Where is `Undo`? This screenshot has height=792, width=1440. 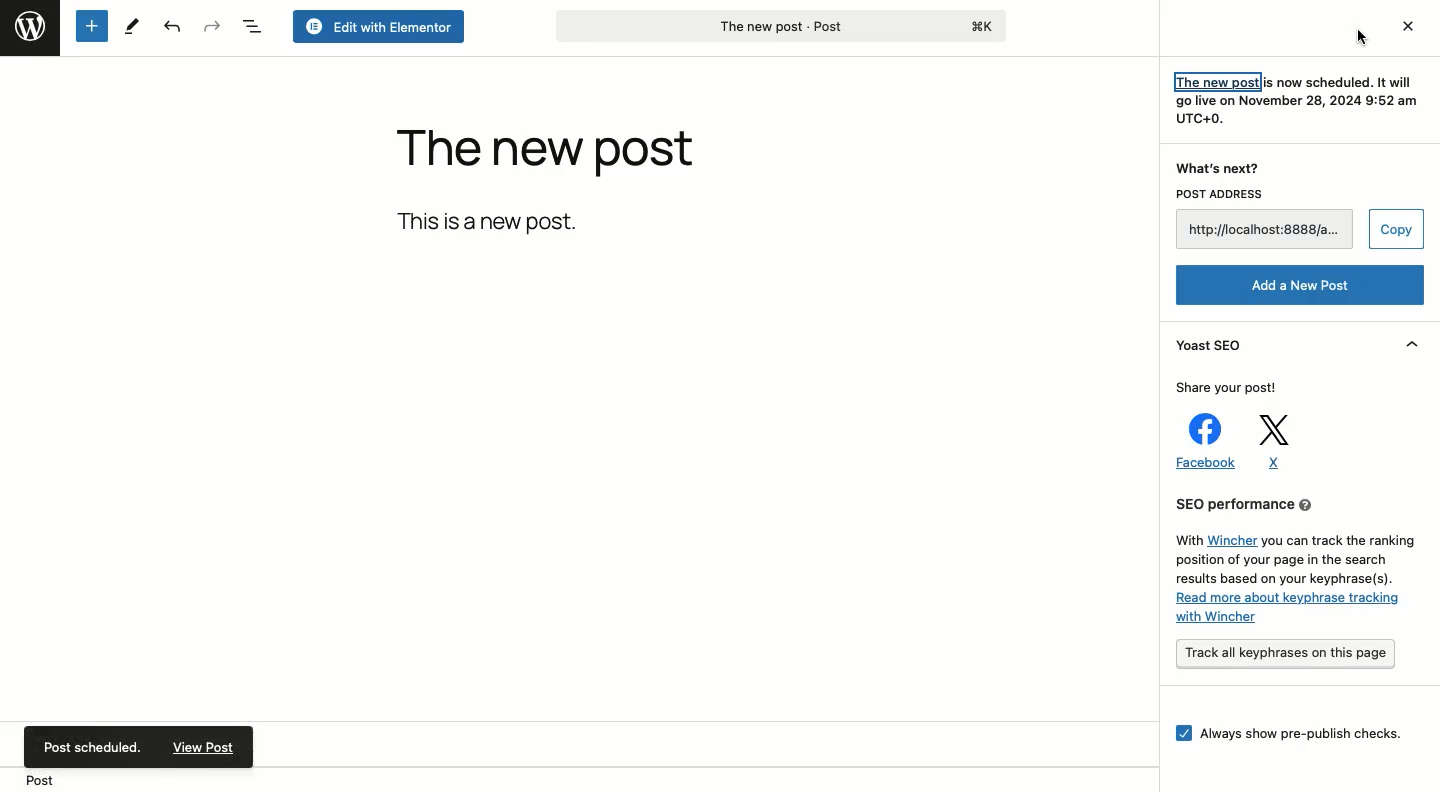
Undo is located at coordinates (172, 27).